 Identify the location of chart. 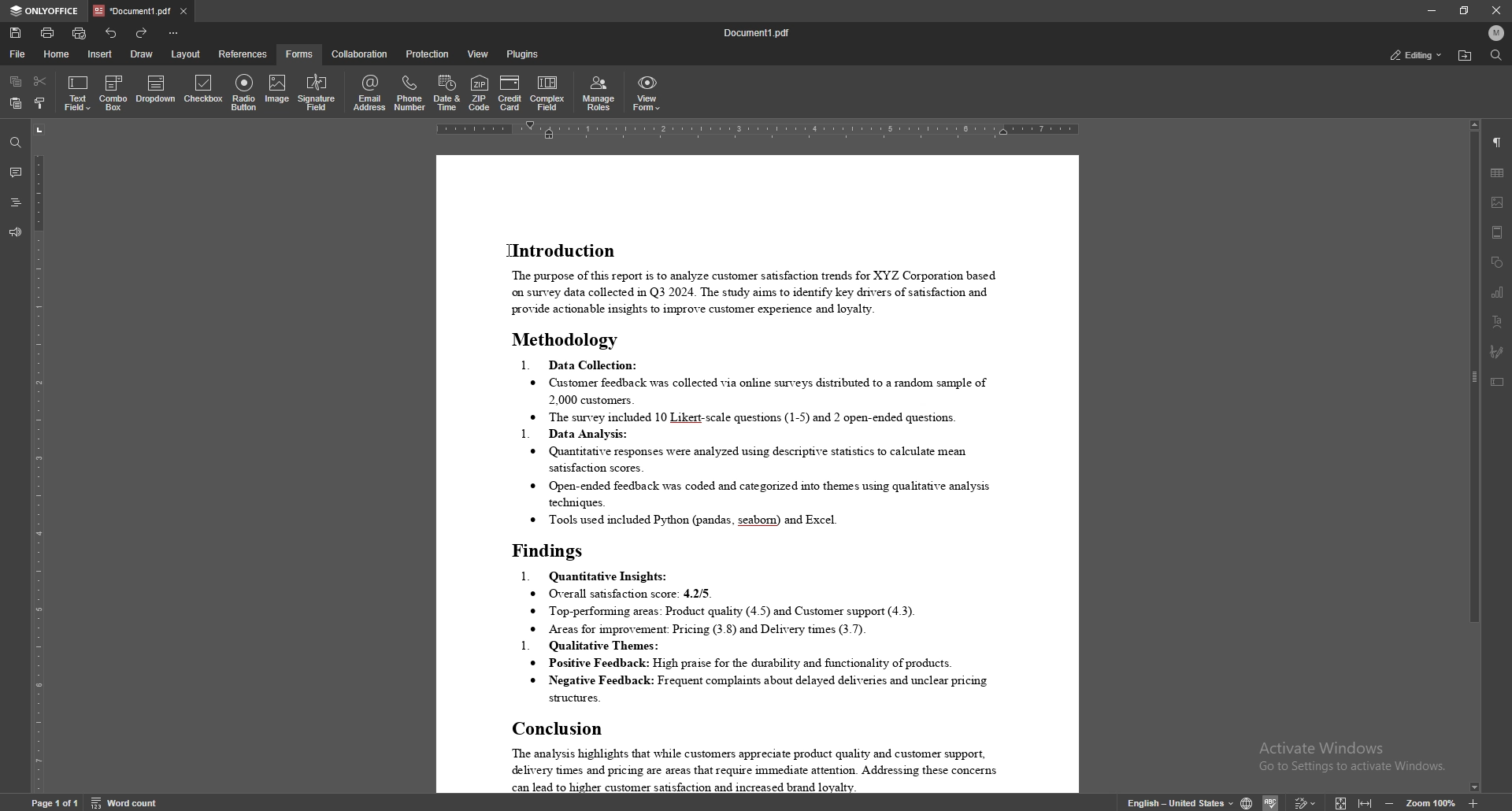
(1499, 291).